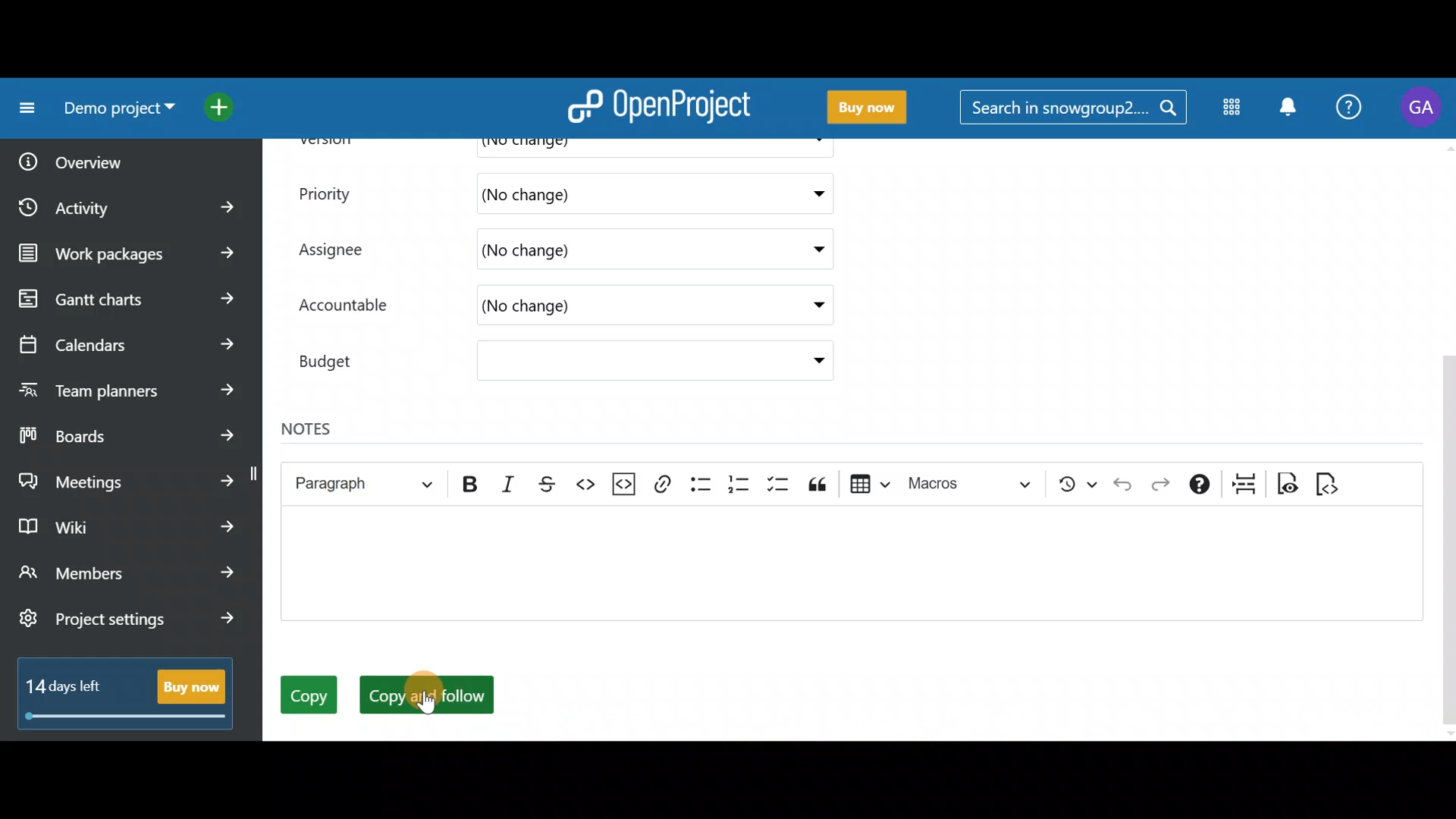 This screenshot has height=819, width=1456. What do you see at coordinates (127, 478) in the screenshot?
I see `Meetings` at bounding box center [127, 478].